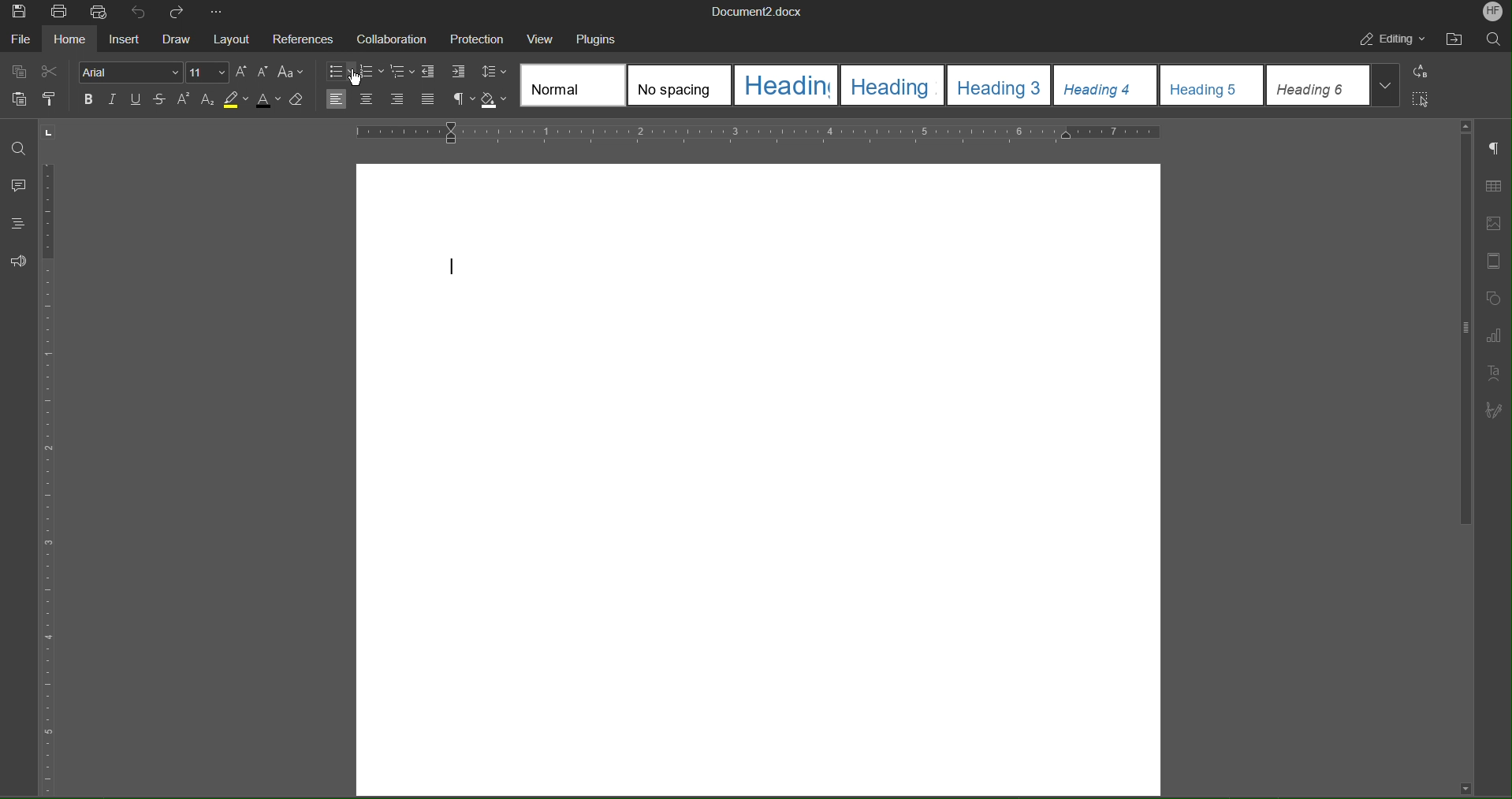 The width and height of the screenshot is (1512, 799). I want to click on Subscript, so click(214, 100).